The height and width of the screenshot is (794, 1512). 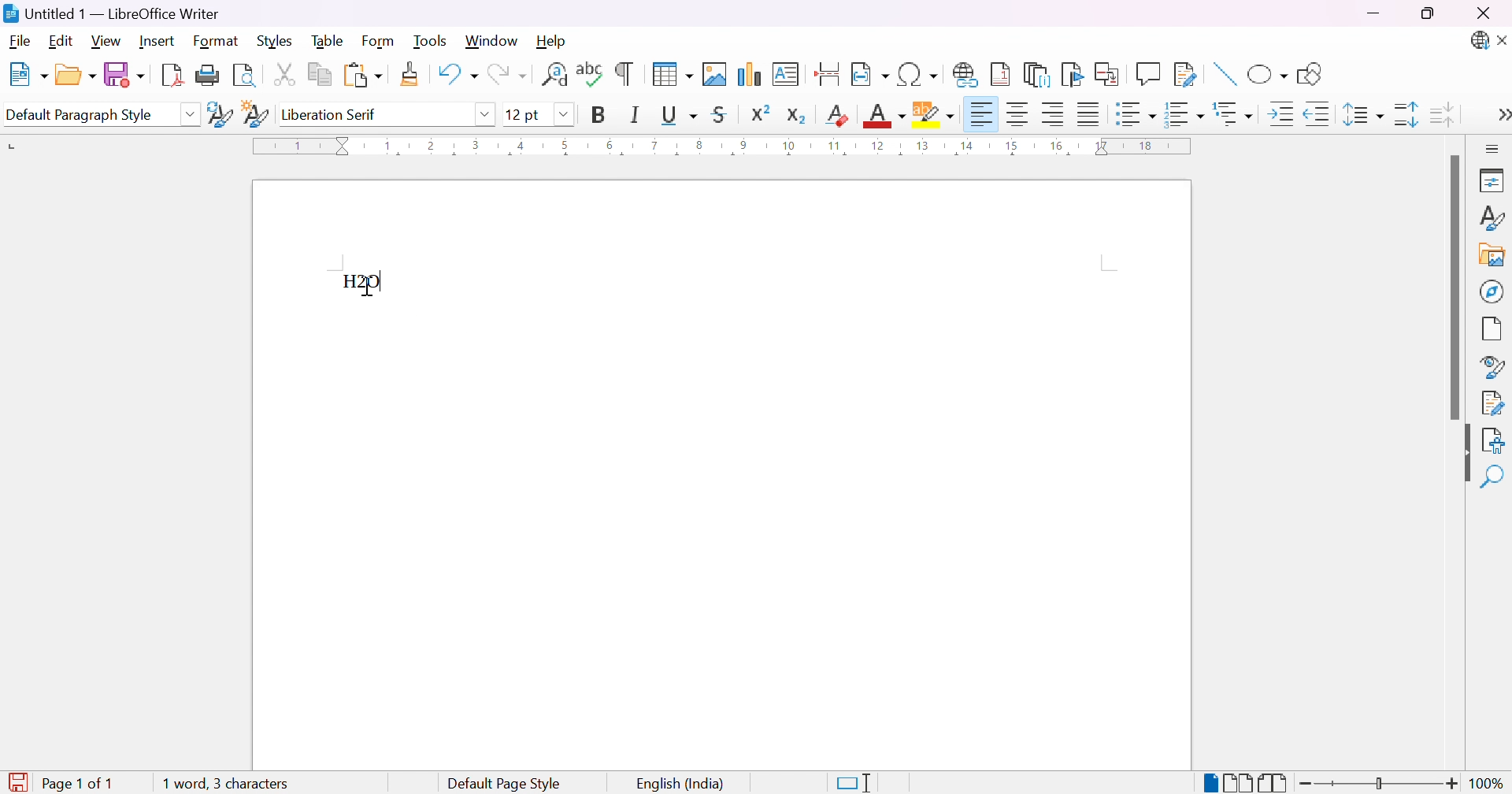 I want to click on Subscript, so click(x=796, y=116).